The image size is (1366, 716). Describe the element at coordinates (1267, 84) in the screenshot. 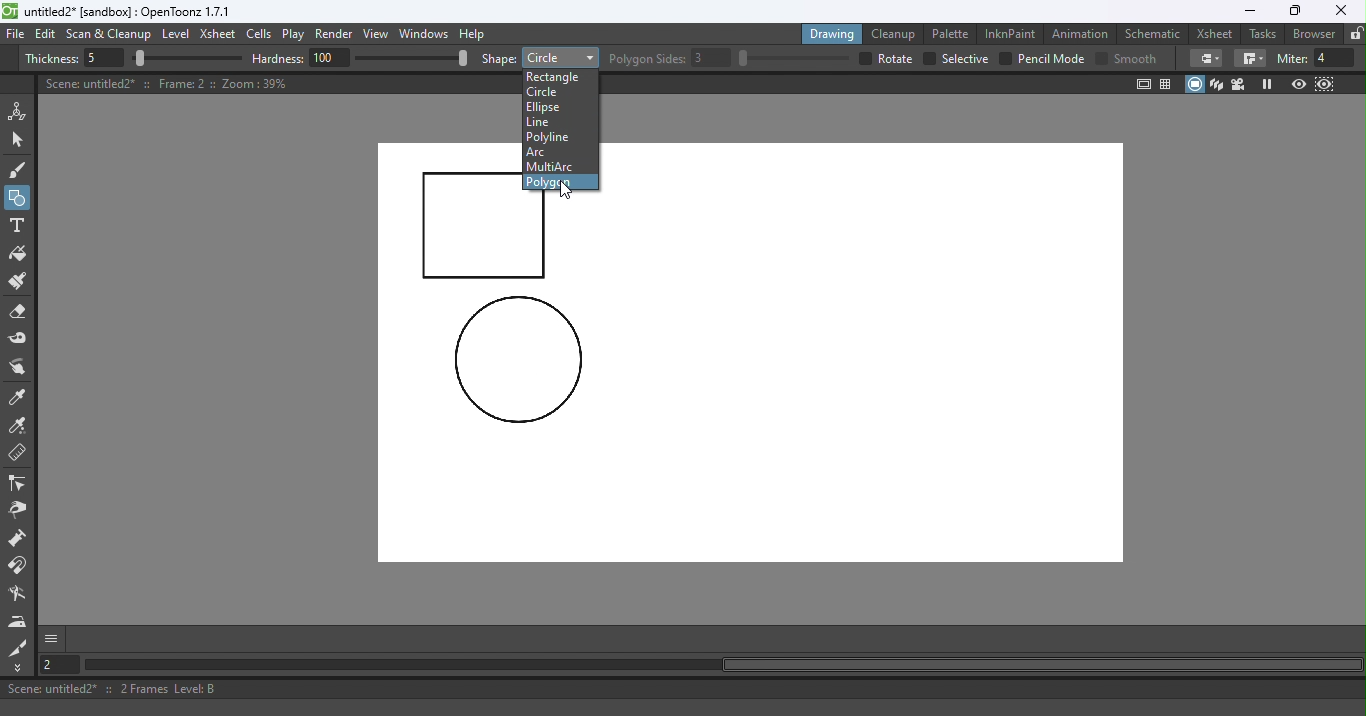

I see `Freeze` at that location.